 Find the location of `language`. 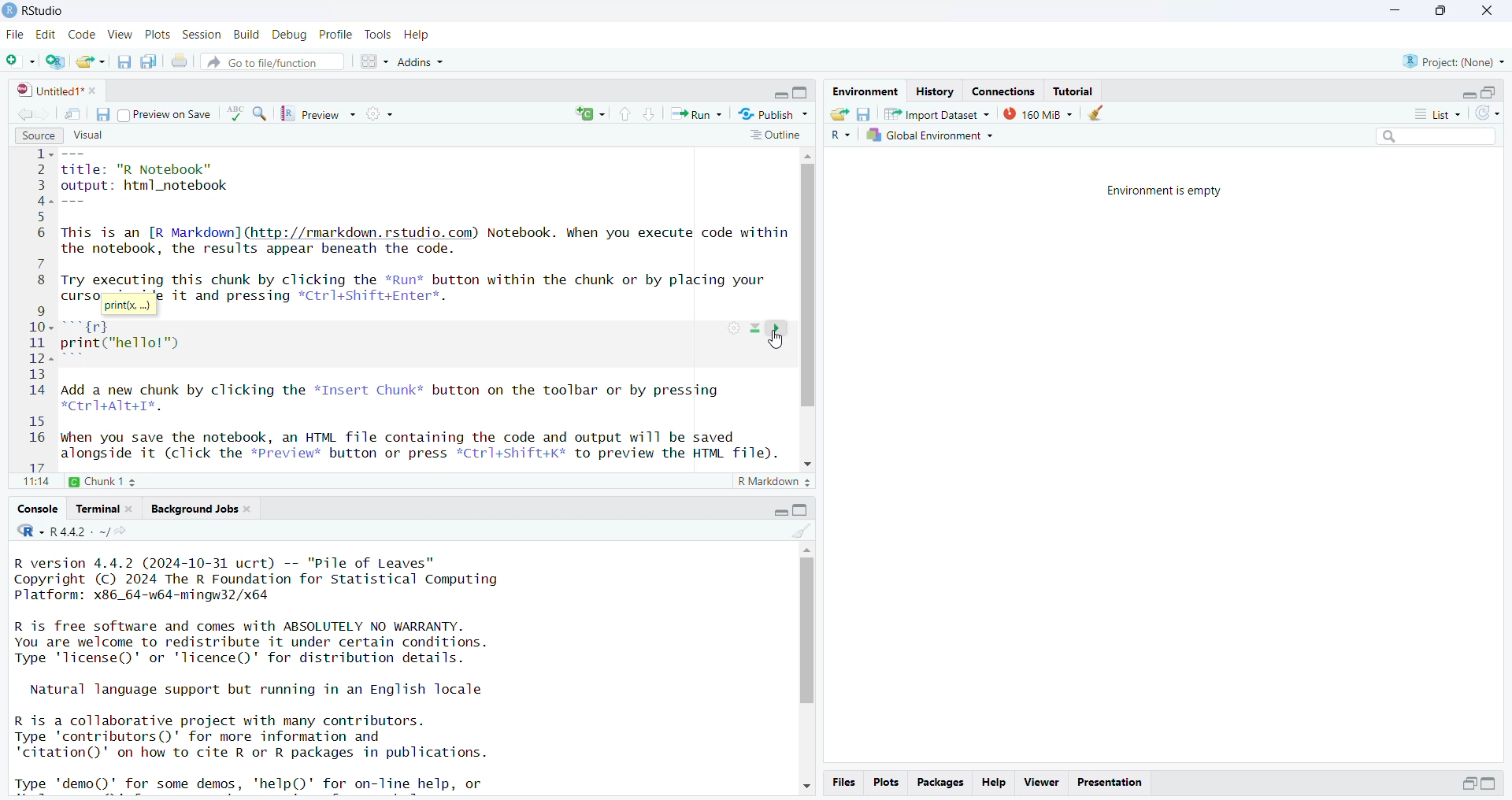

language is located at coordinates (235, 113).